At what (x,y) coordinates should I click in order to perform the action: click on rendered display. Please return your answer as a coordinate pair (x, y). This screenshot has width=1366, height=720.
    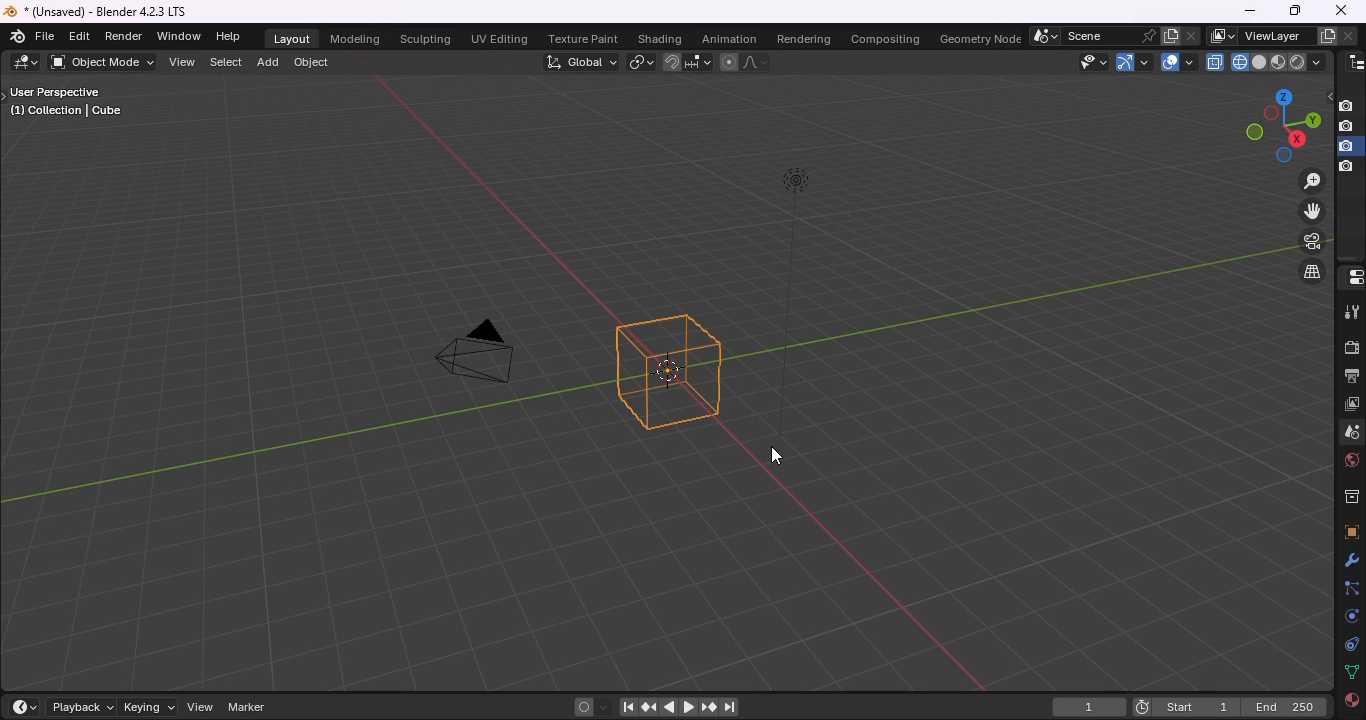
    Looking at the image, I should click on (1299, 62).